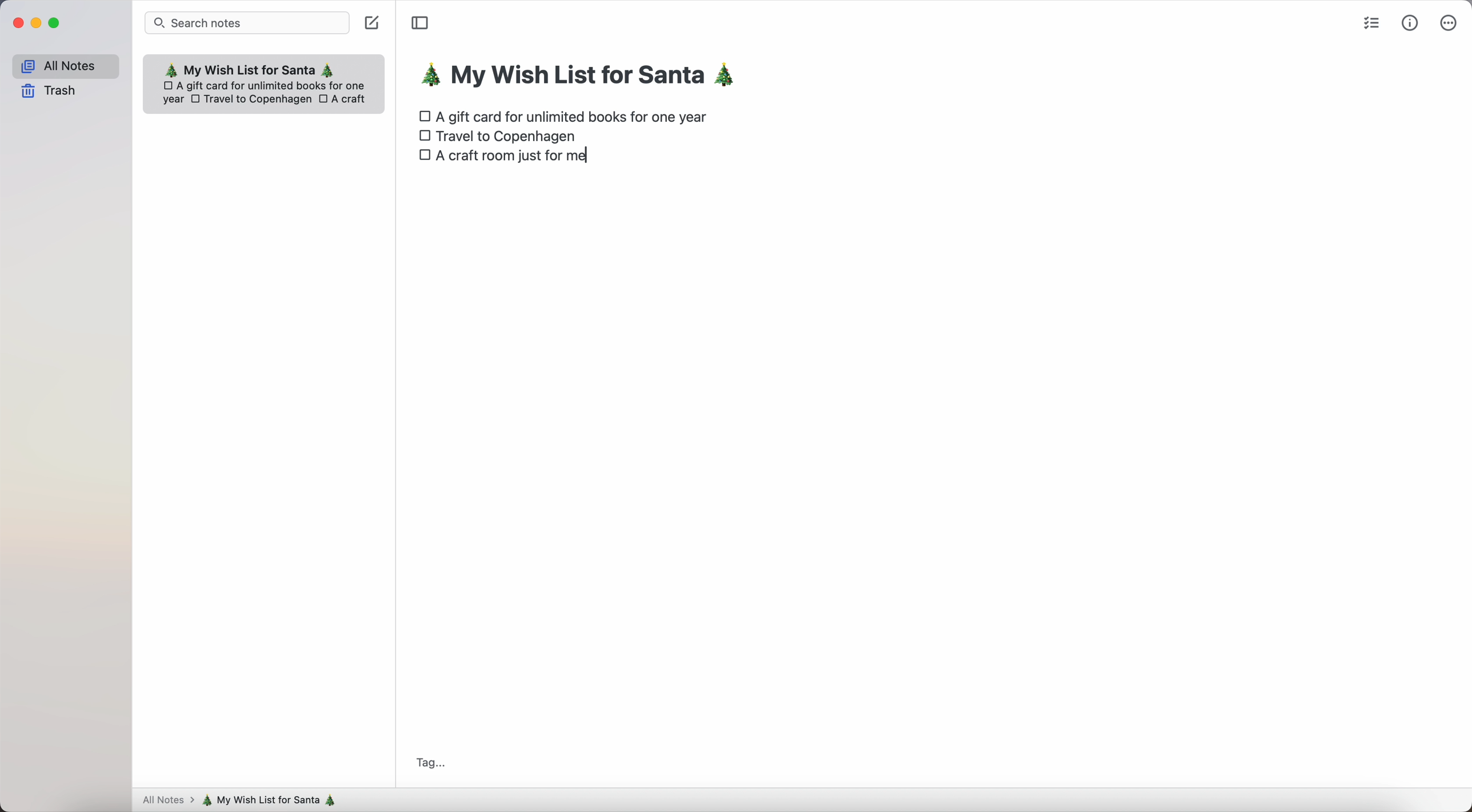  What do you see at coordinates (274, 800) in the screenshot?
I see `my wish list for Santa` at bounding box center [274, 800].